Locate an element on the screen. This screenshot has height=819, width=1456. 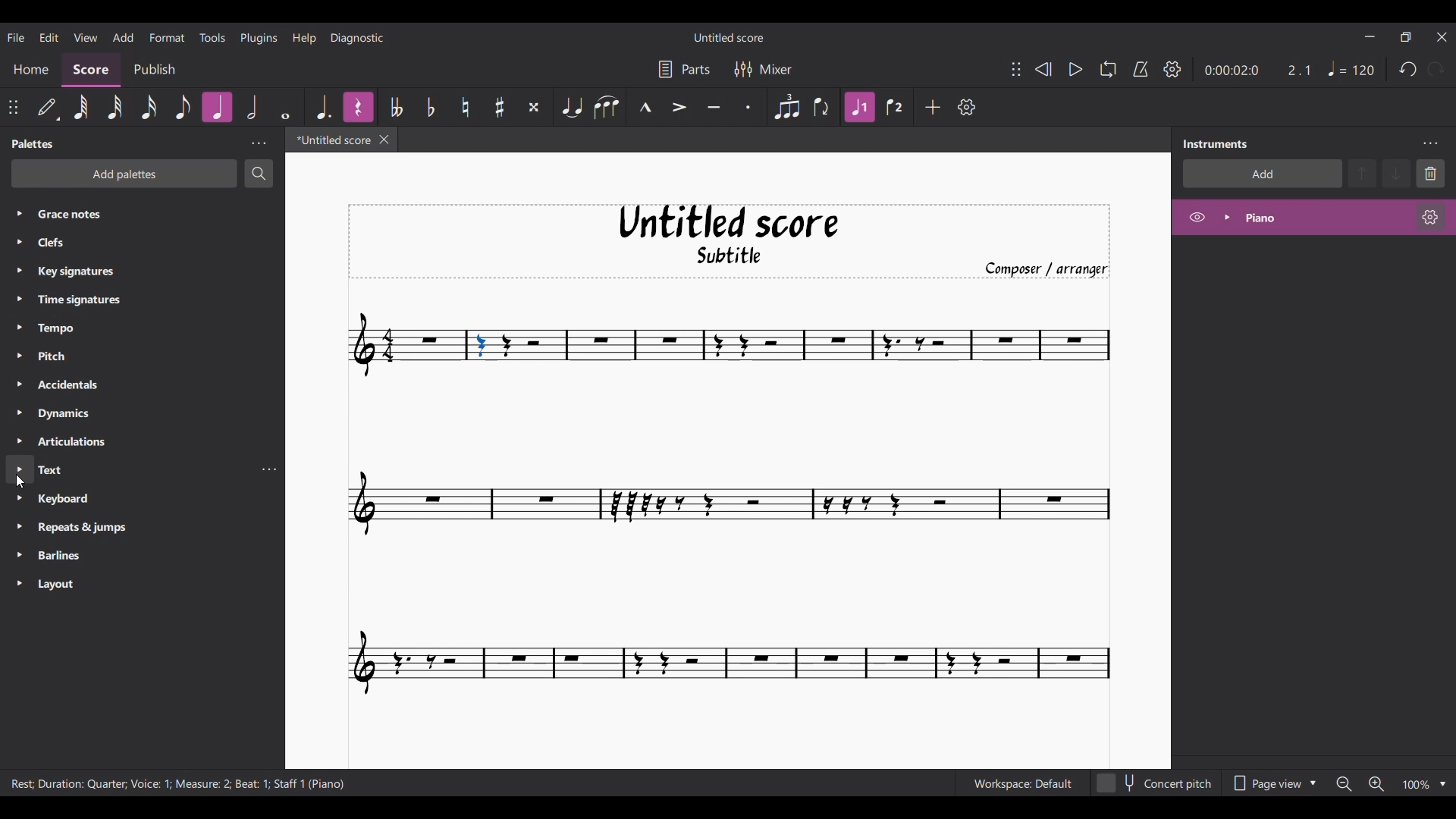
Default is located at coordinates (48, 106).